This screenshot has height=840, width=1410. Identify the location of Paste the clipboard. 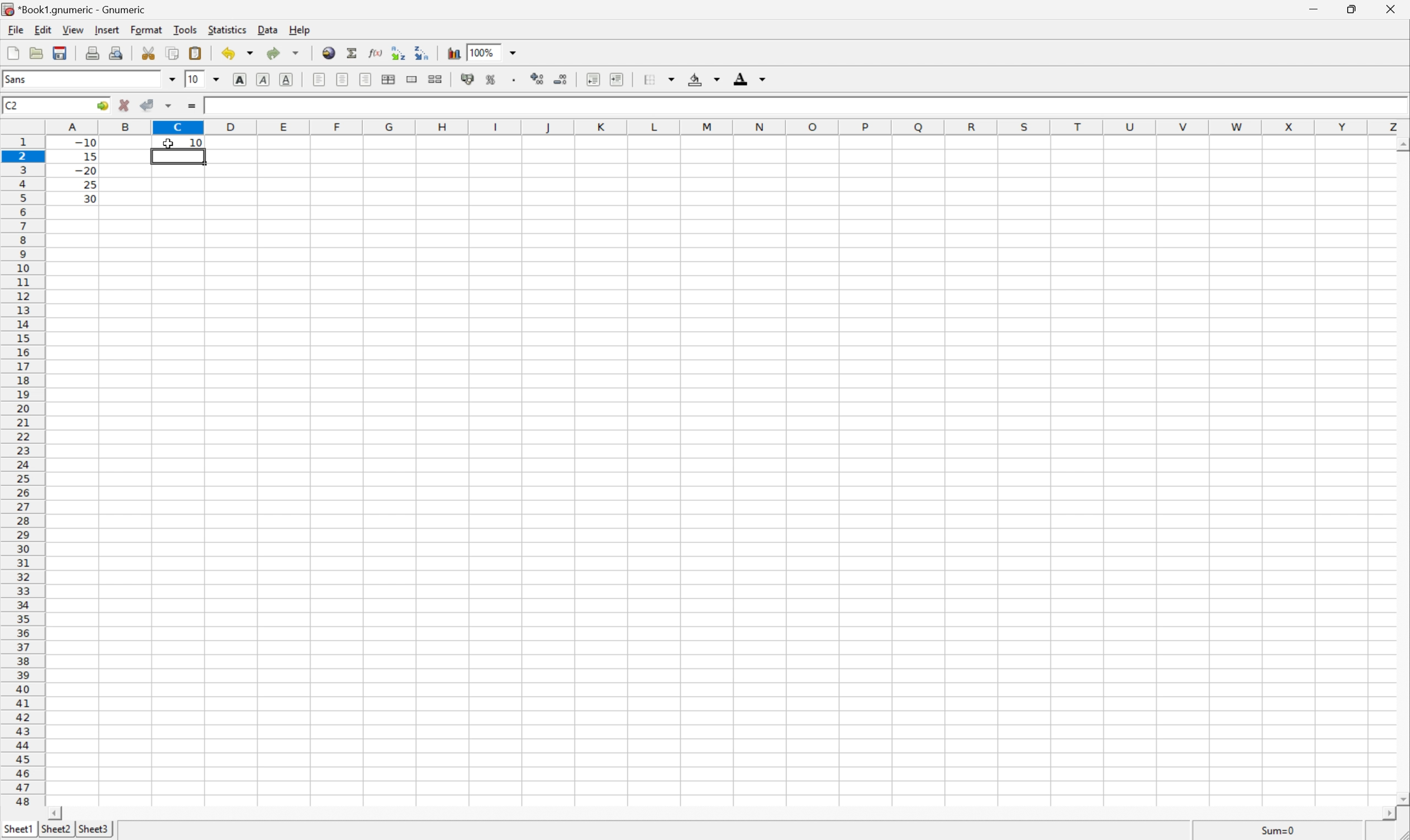
(198, 53).